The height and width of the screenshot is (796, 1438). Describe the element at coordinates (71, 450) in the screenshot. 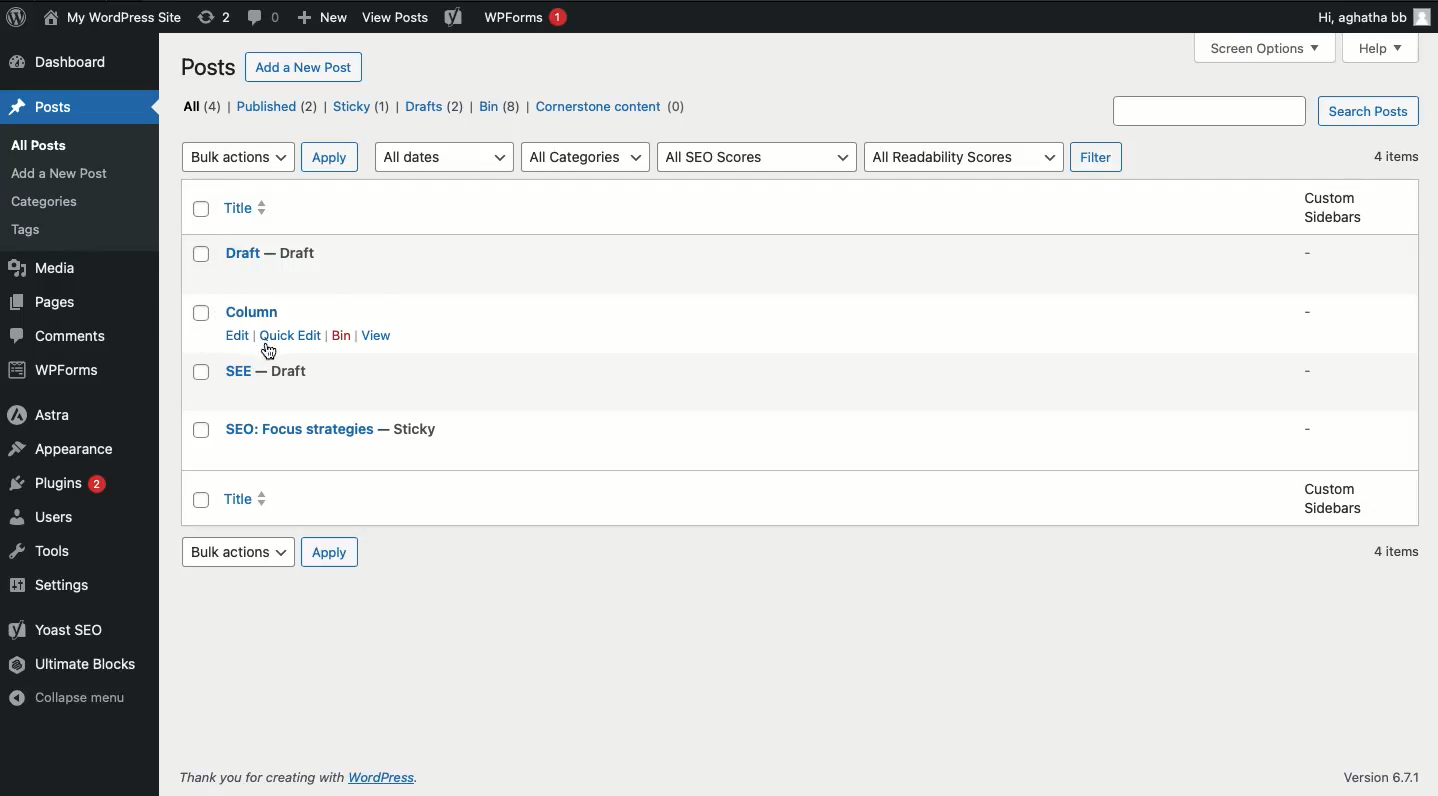

I see `Appearance` at that location.